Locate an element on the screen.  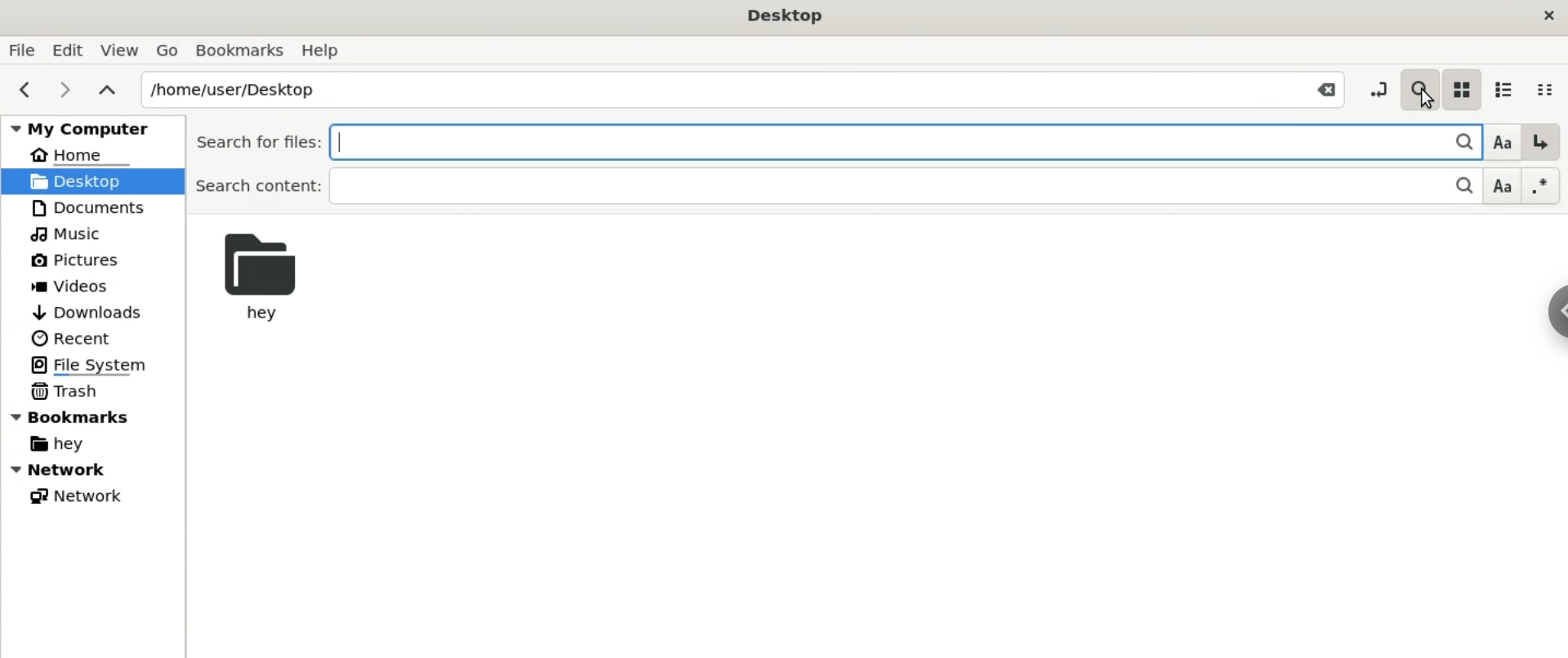
Close is located at coordinates (1325, 88).